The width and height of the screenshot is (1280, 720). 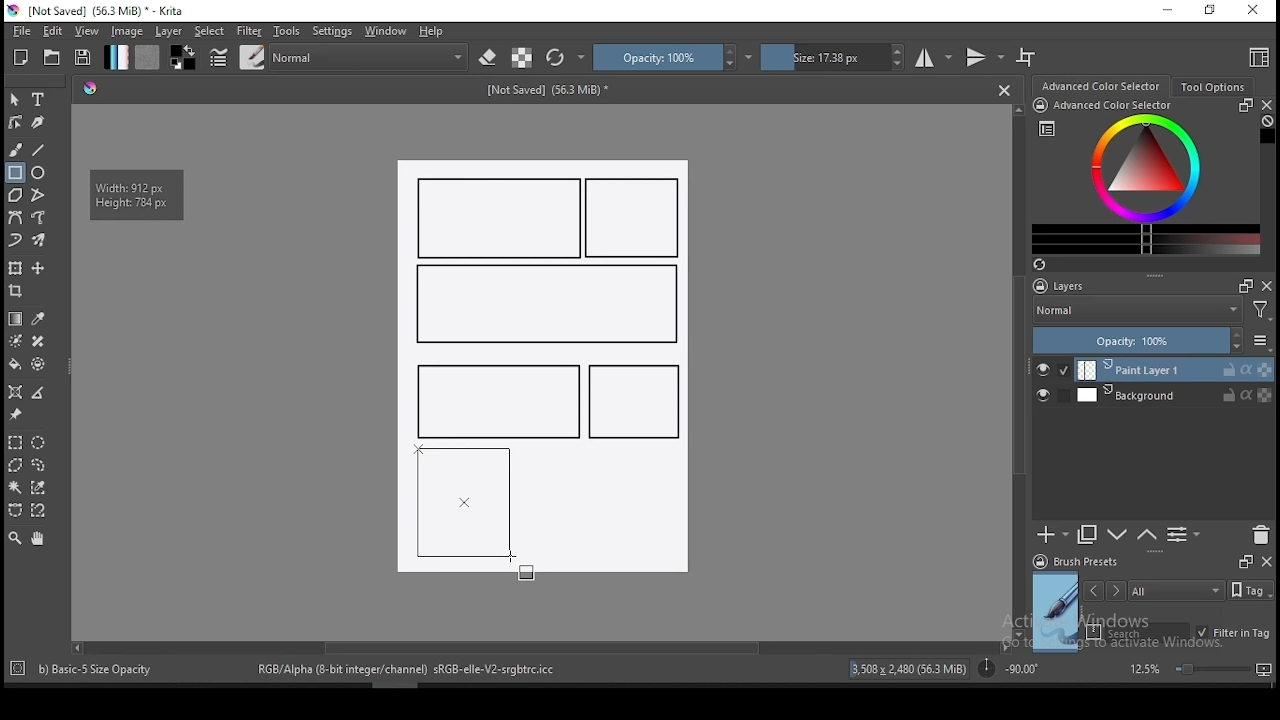 What do you see at coordinates (1266, 105) in the screenshot?
I see `close docker` at bounding box center [1266, 105].